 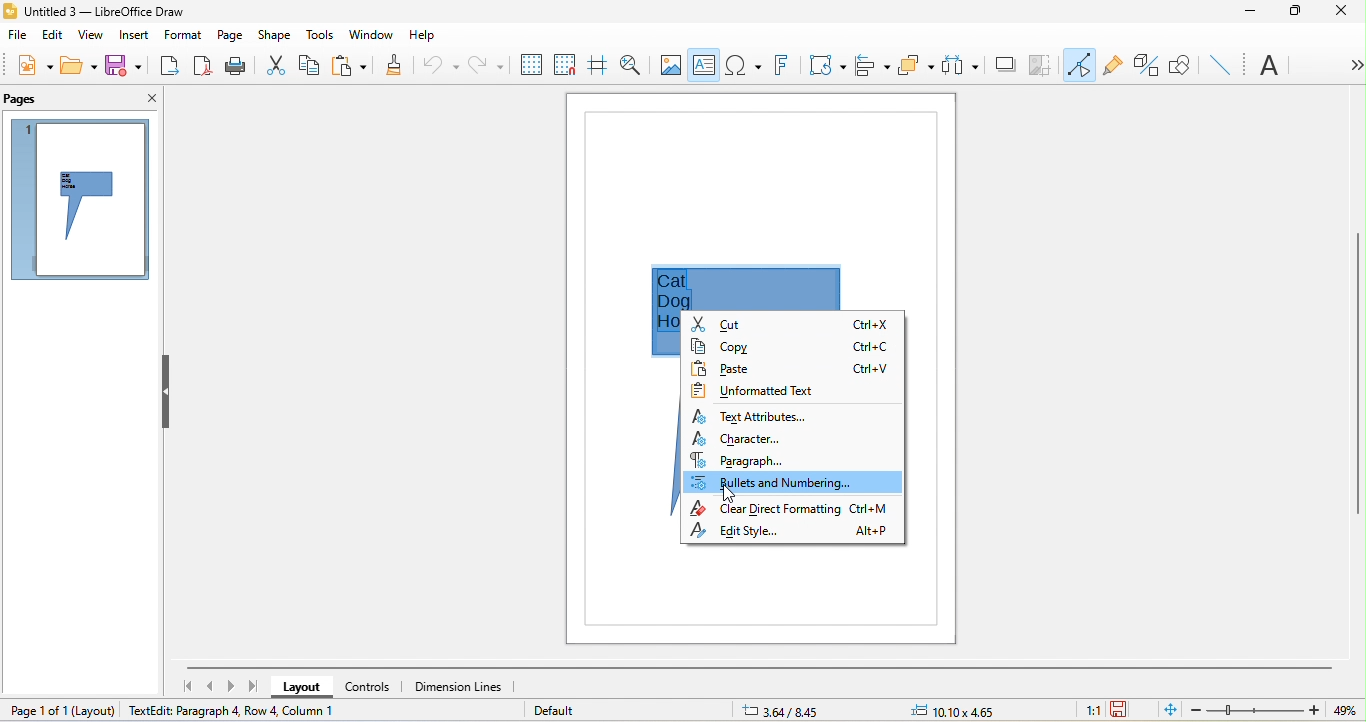 What do you see at coordinates (371, 686) in the screenshot?
I see `controls` at bounding box center [371, 686].